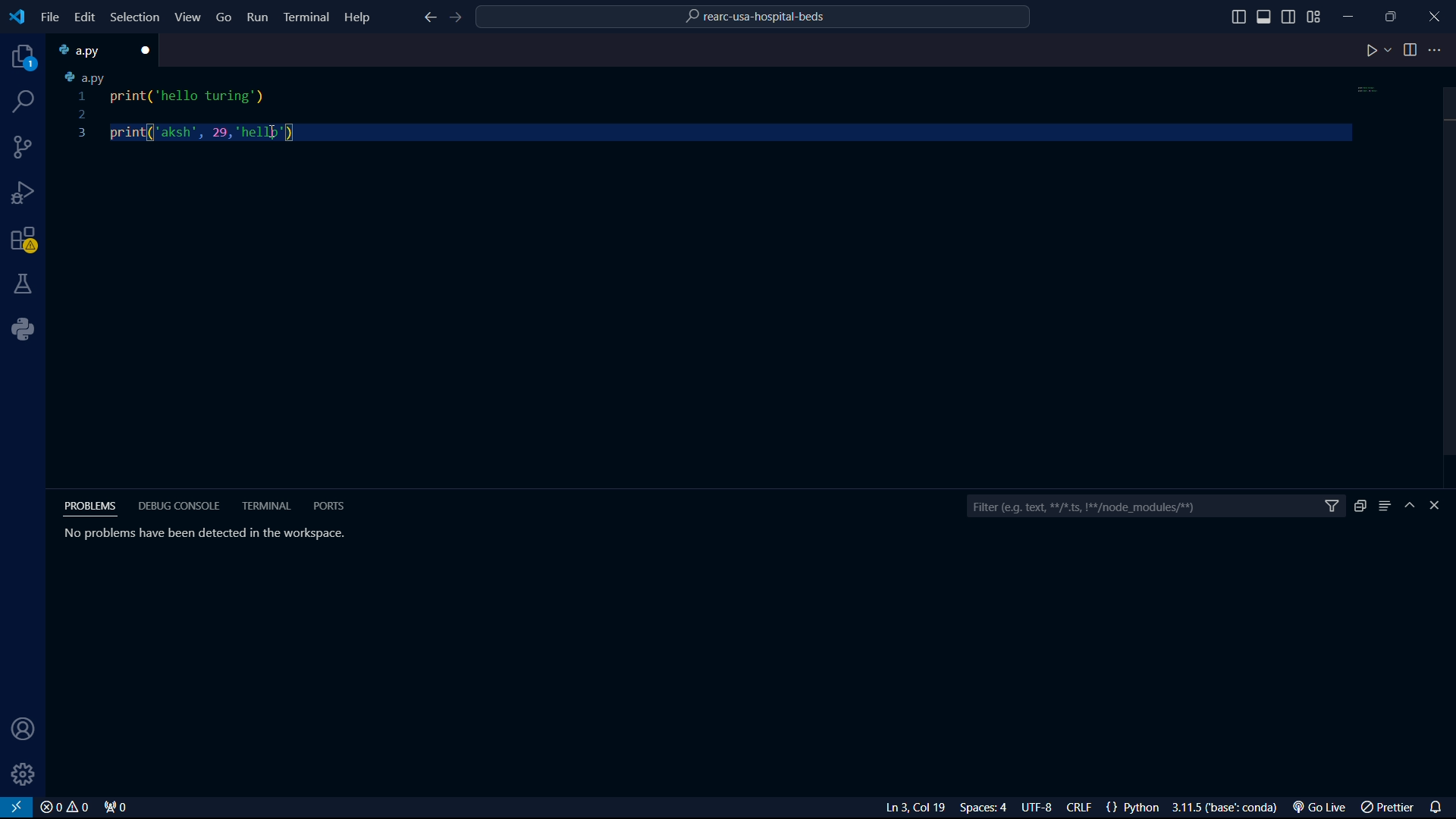 This screenshot has width=1456, height=819. What do you see at coordinates (83, 17) in the screenshot?
I see `edit` at bounding box center [83, 17].